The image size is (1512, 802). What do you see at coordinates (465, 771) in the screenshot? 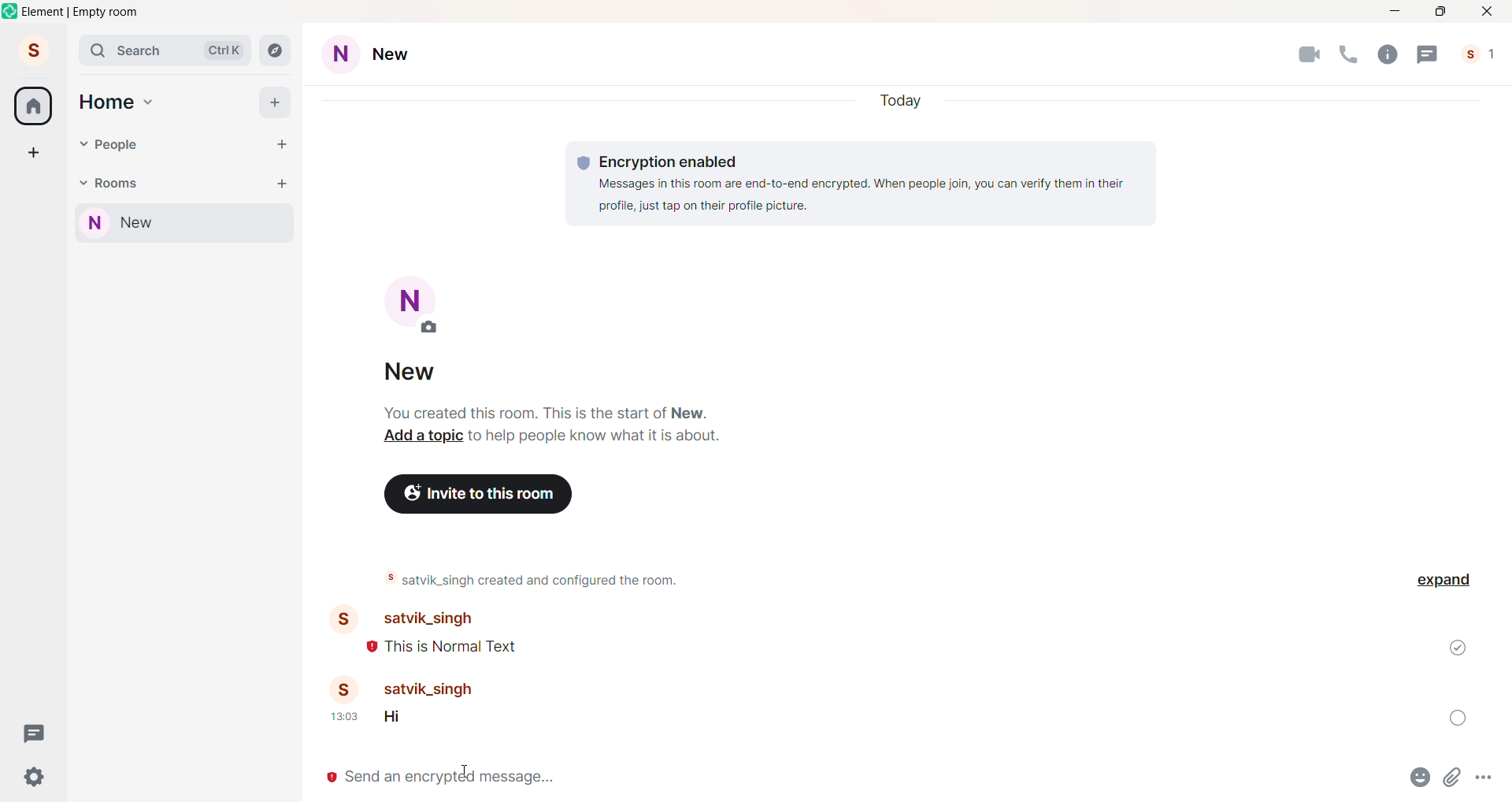
I see `cursor` at bounding box center [465, 771].